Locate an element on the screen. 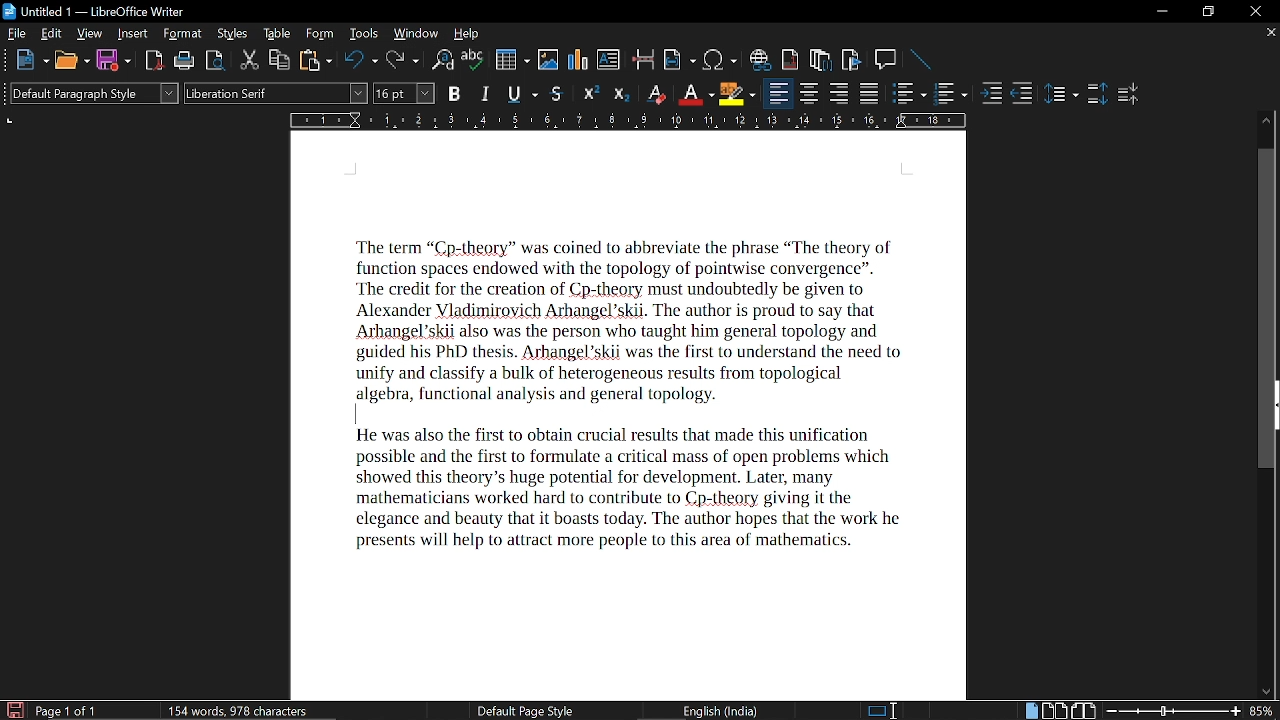 The width and height of the screenshot is (1280, 720). Format is located at coordinates (181, 35).